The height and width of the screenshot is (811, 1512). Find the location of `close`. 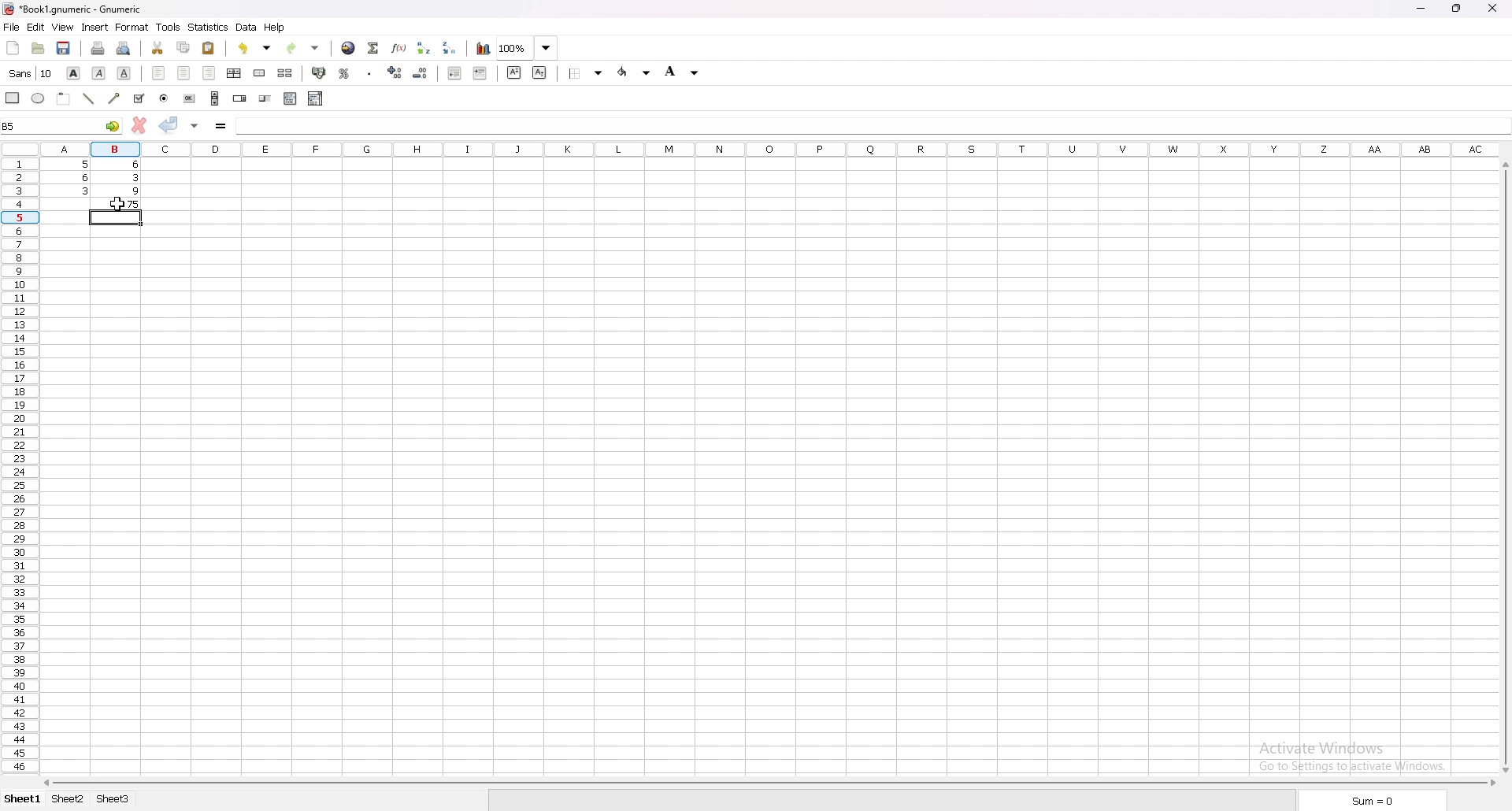

close is located at coordinates (1492, 7).